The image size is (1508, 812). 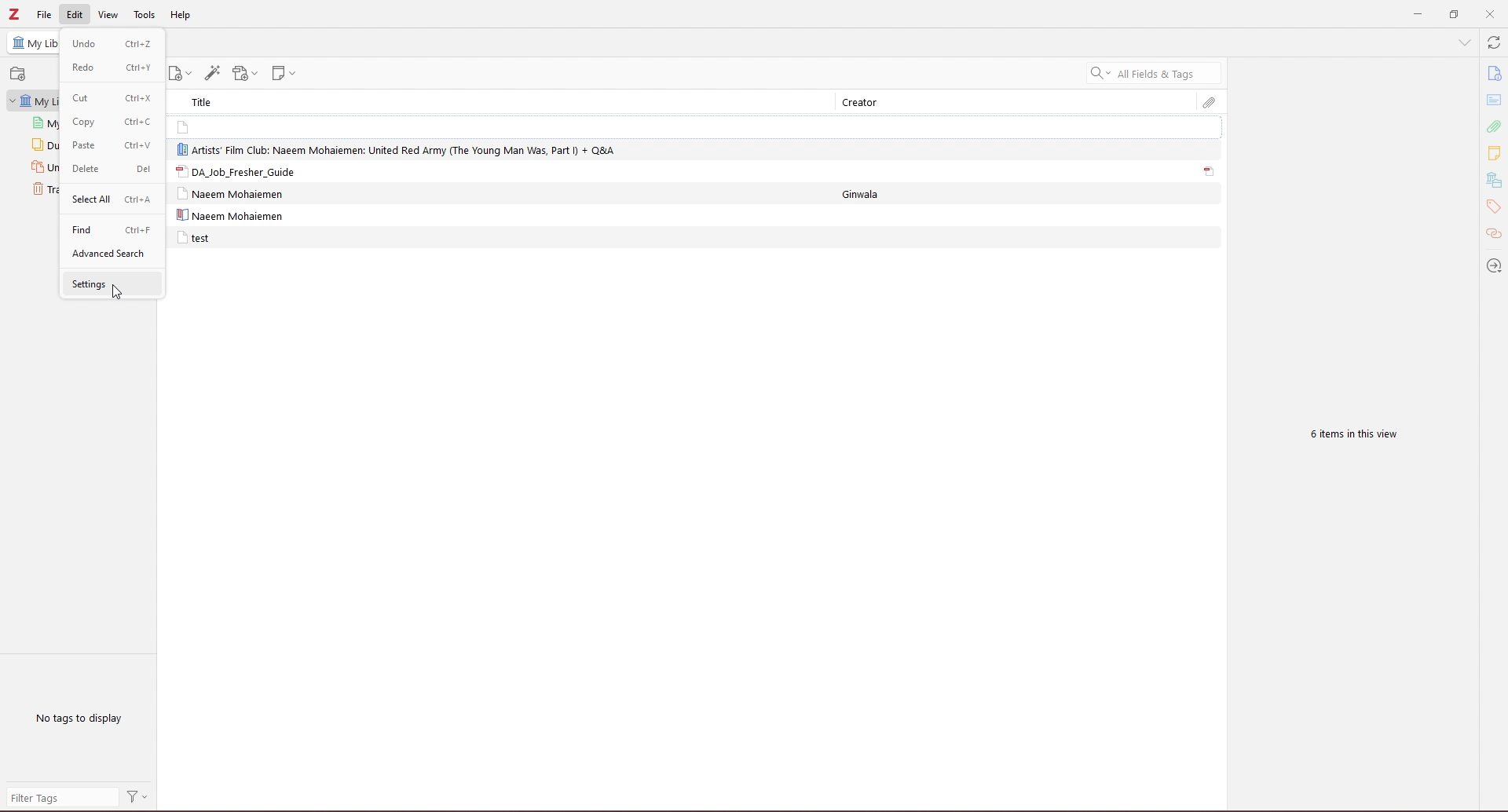 What do you see at coordinates (399, 148) in the screenshot?
I see `Artists’ Film Club: Naeem Mohaiemen: United Red Army (The Young Man Was, Part I) + Q&A` at bounding box center [399, 148].